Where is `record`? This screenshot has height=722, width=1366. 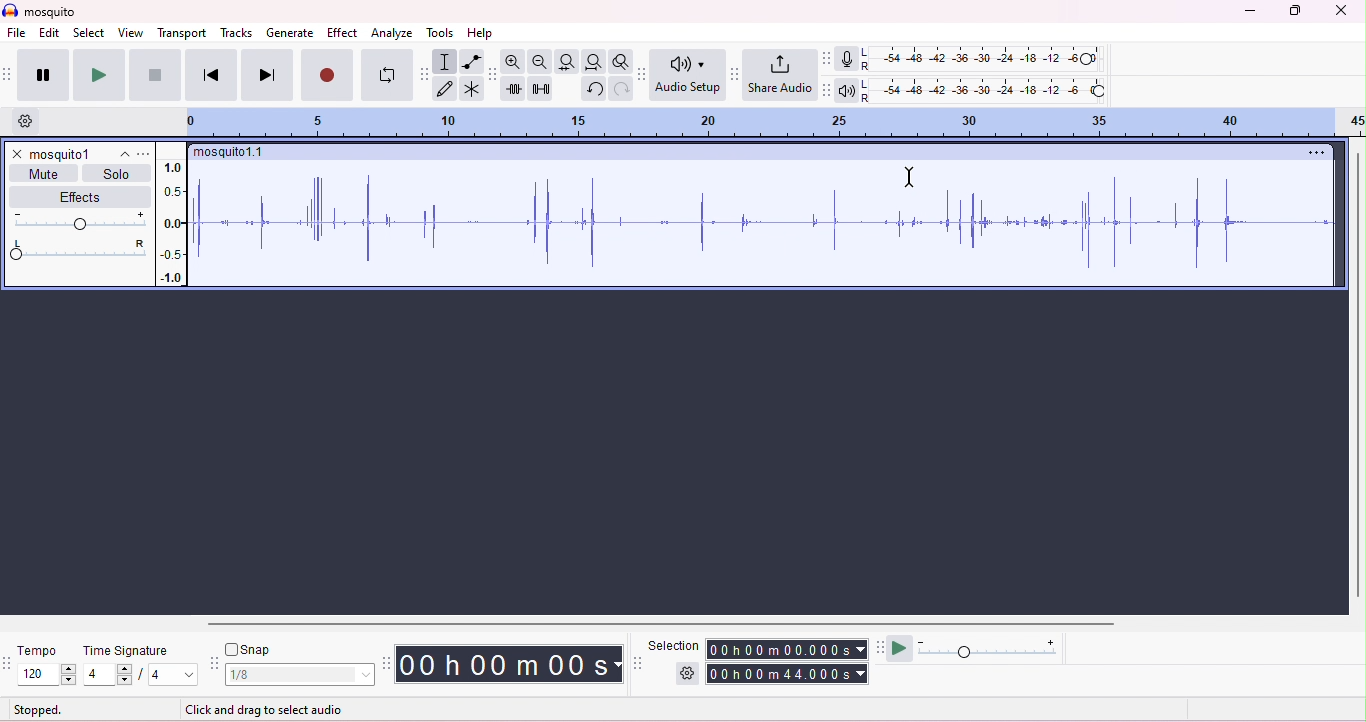
record is located at coordinates (327, 74).